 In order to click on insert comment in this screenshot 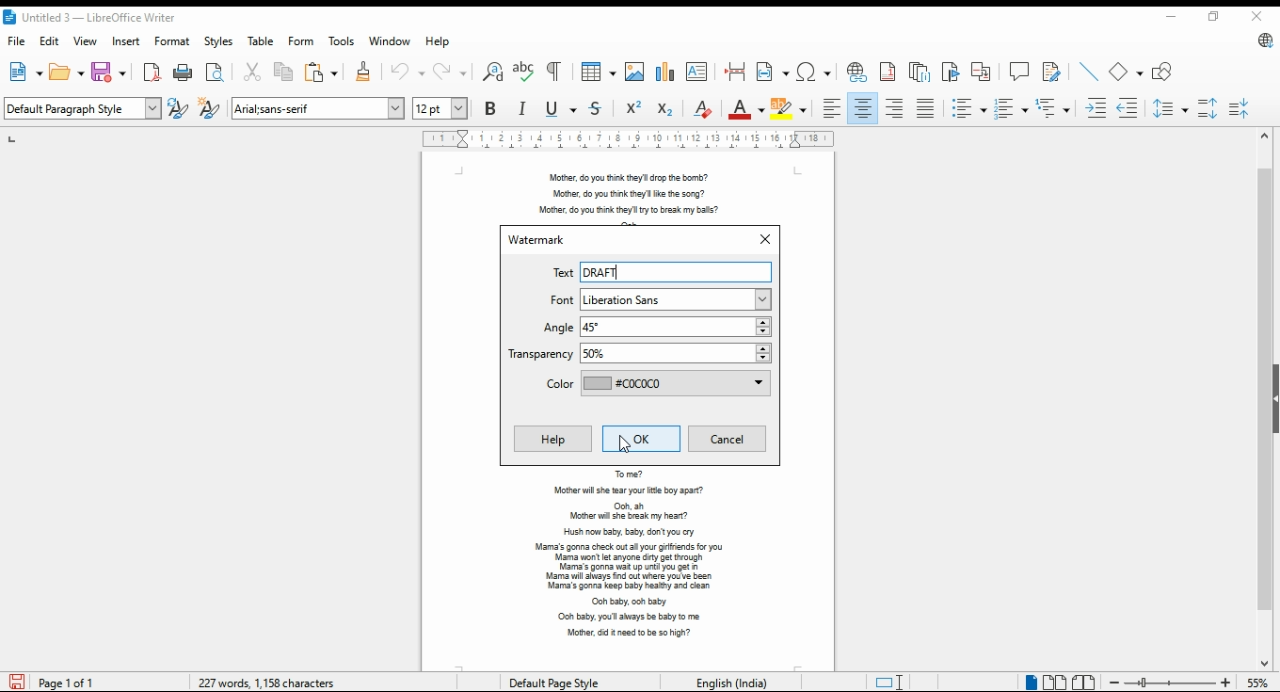, I will do `click(1020, 71)`.